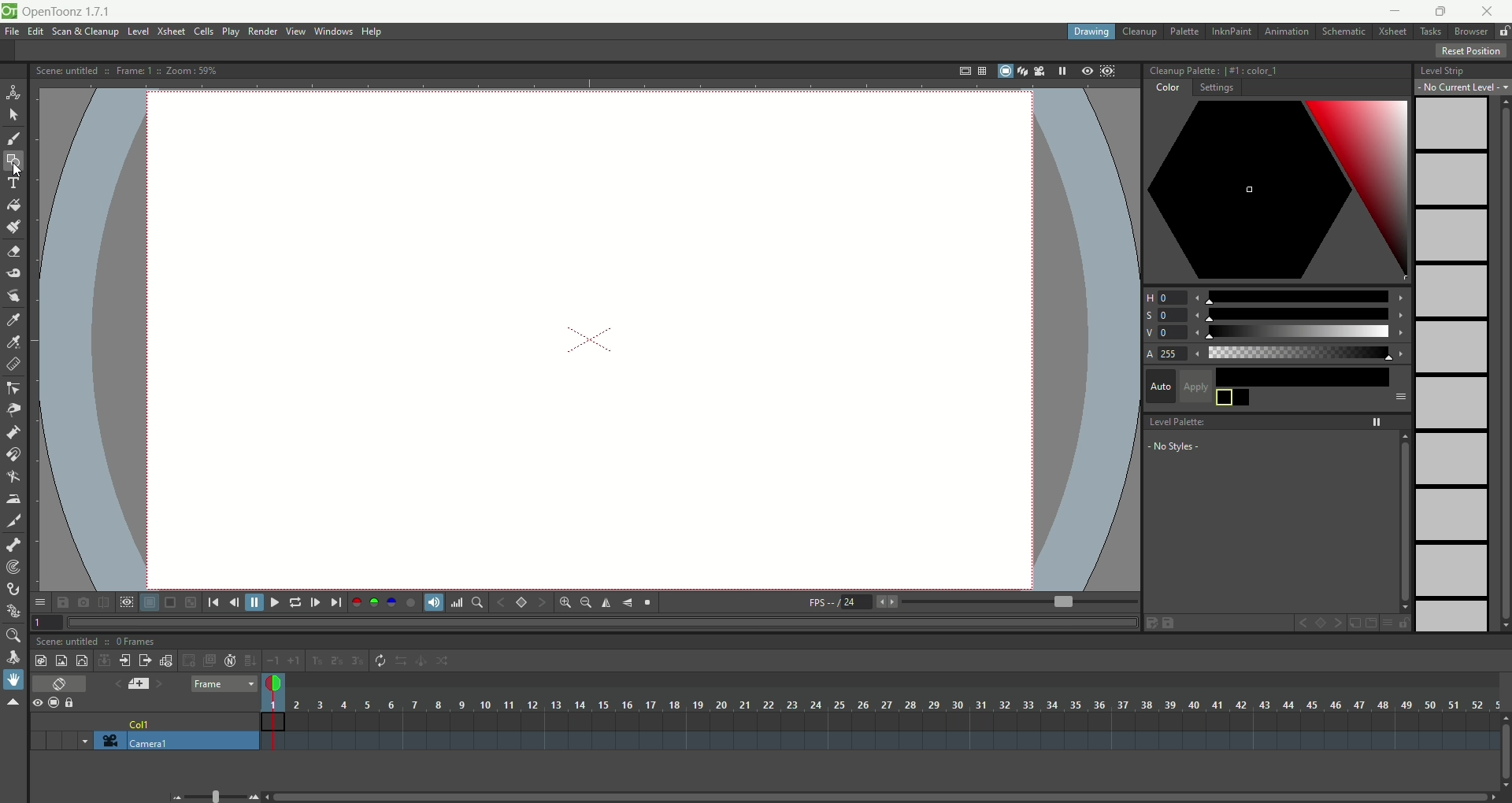 The image size is (1512, 803). Describe the element at coordinates (15, 342) in the screenshot. I see `RGB picker` at that location.